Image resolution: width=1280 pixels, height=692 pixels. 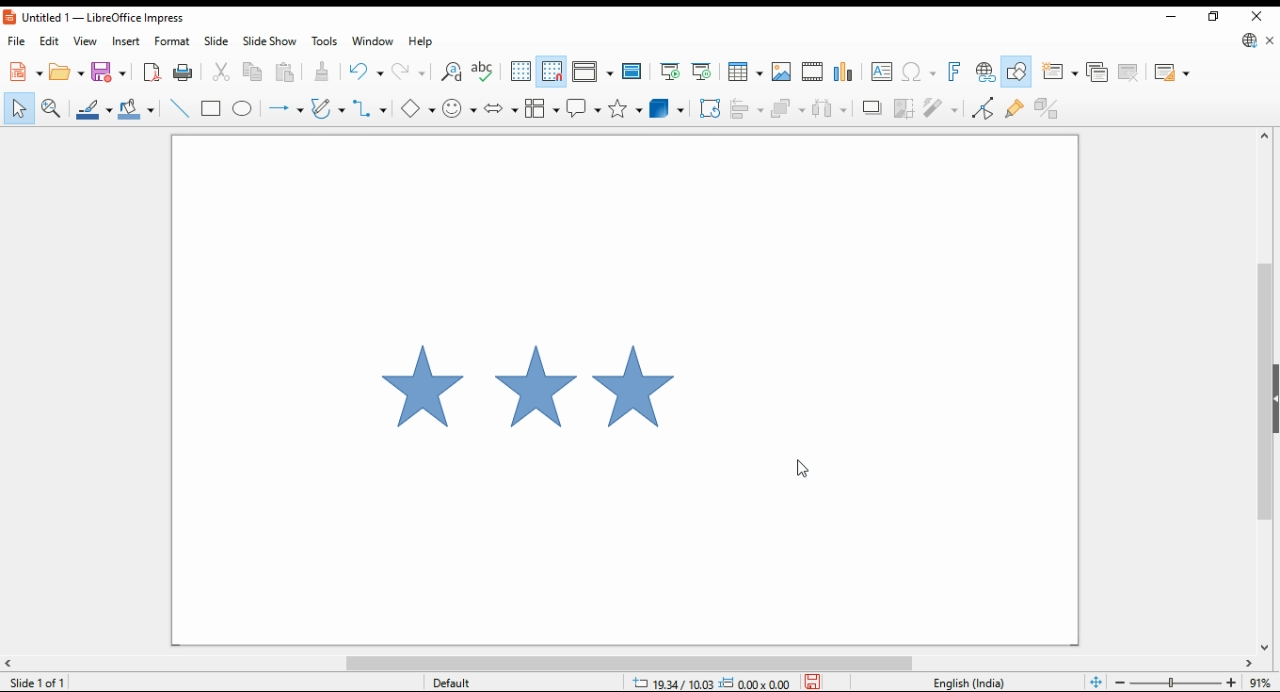 I want to click on block arrows, so click(x=500, y=107).